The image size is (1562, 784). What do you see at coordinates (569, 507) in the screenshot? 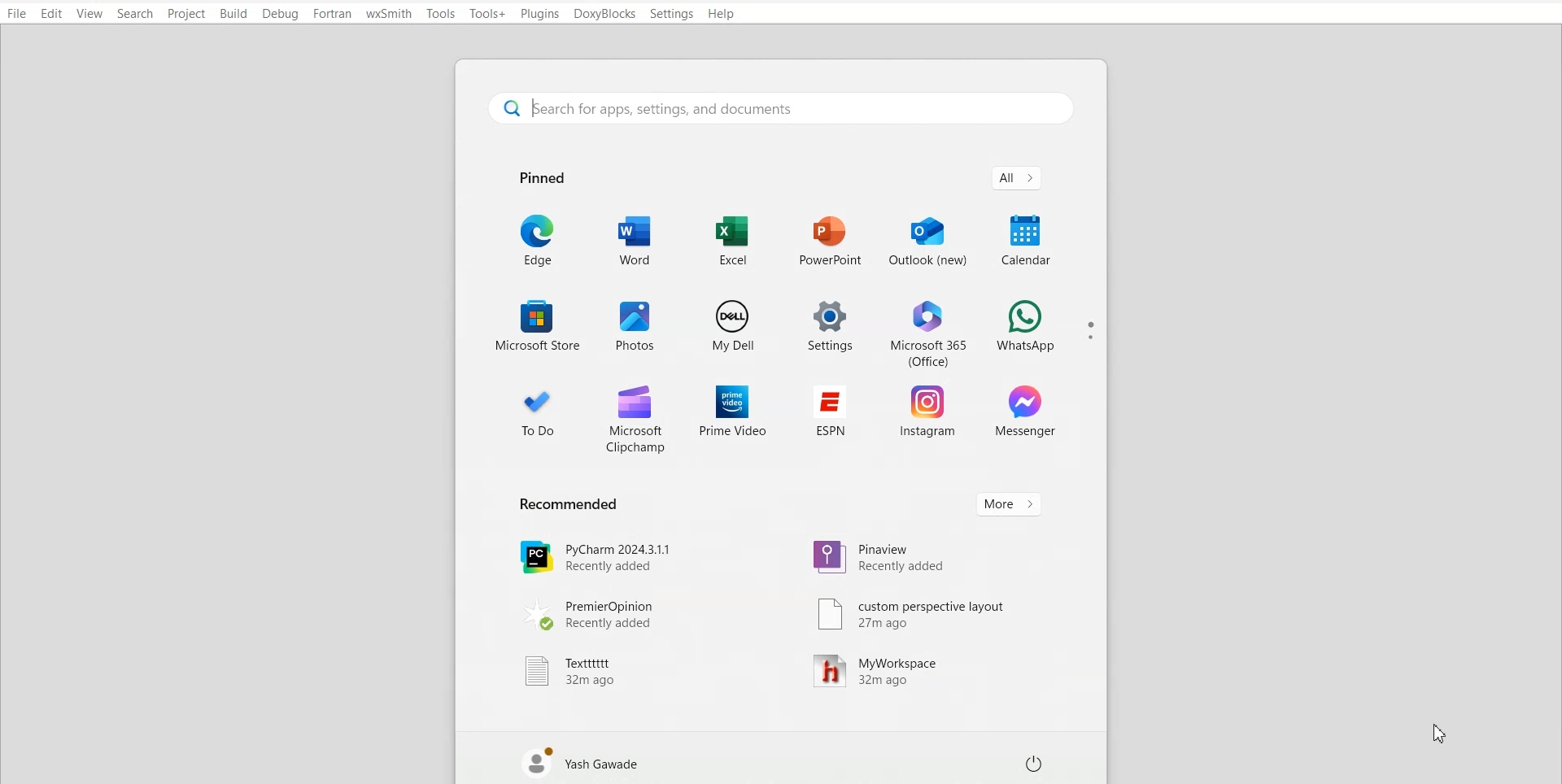
I see `Text` at bounding box center [569, 507].